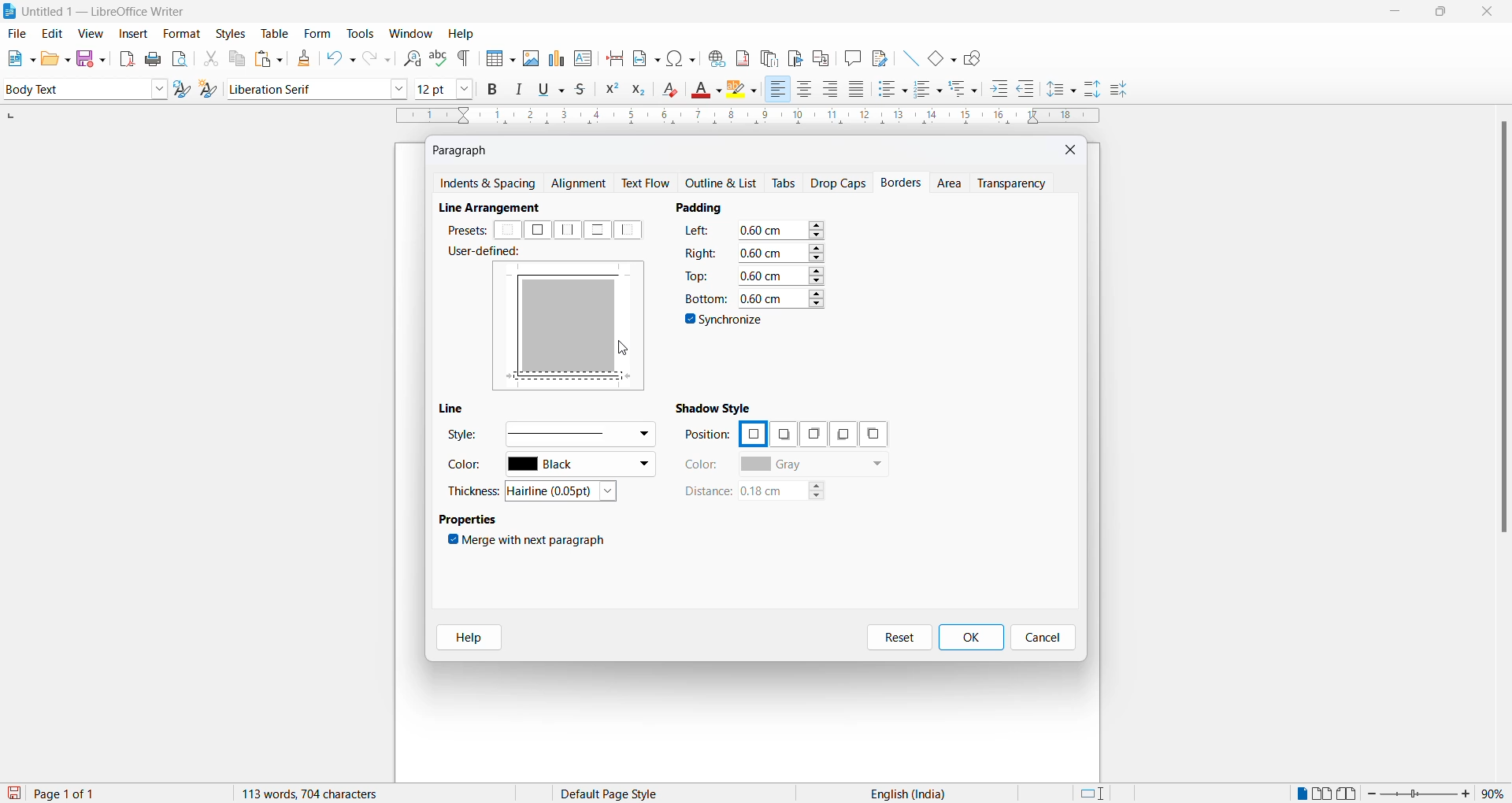  I want to click on zoom percentage, so click(1496, 792).